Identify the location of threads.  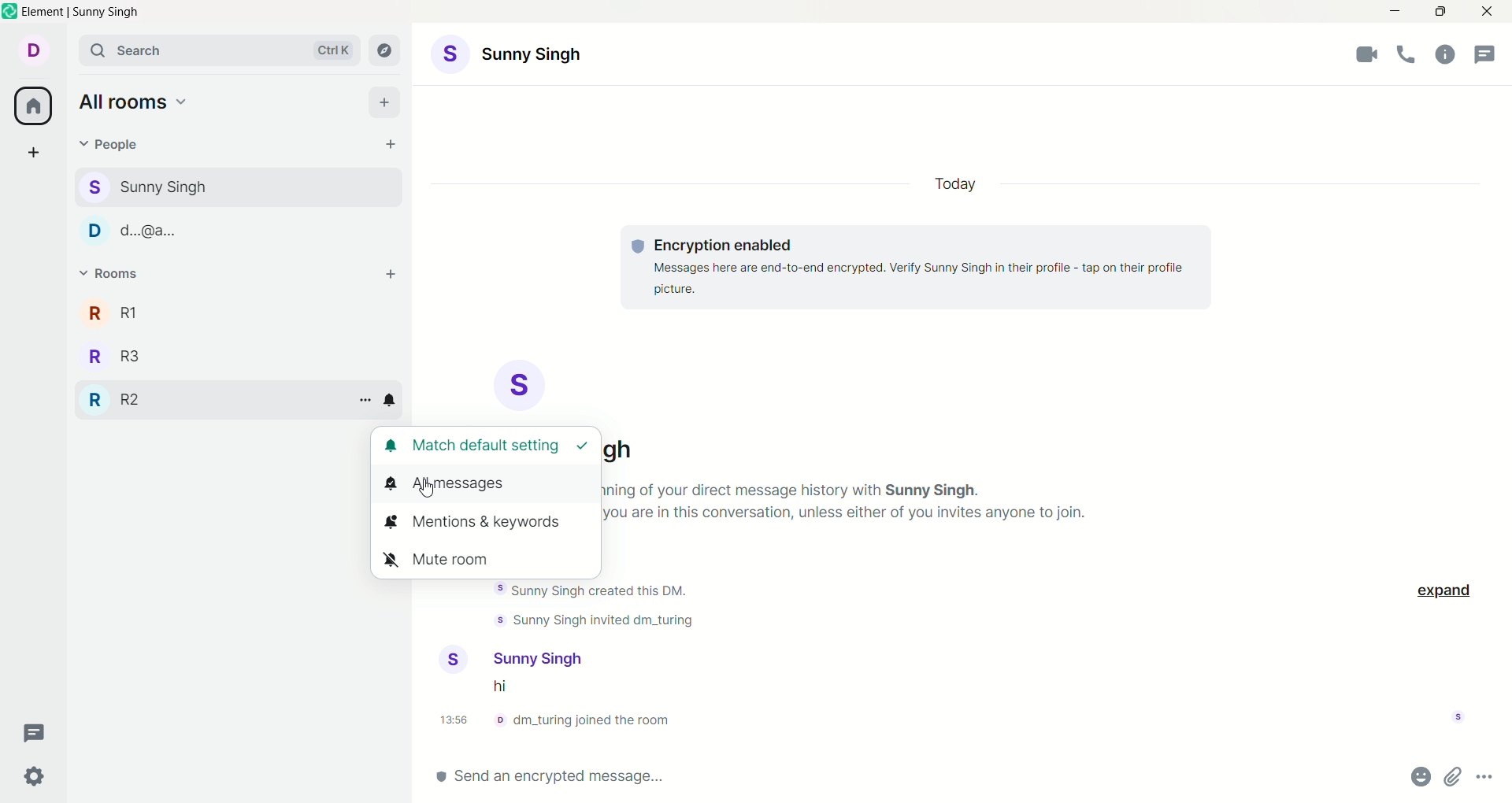
(1488, 50).